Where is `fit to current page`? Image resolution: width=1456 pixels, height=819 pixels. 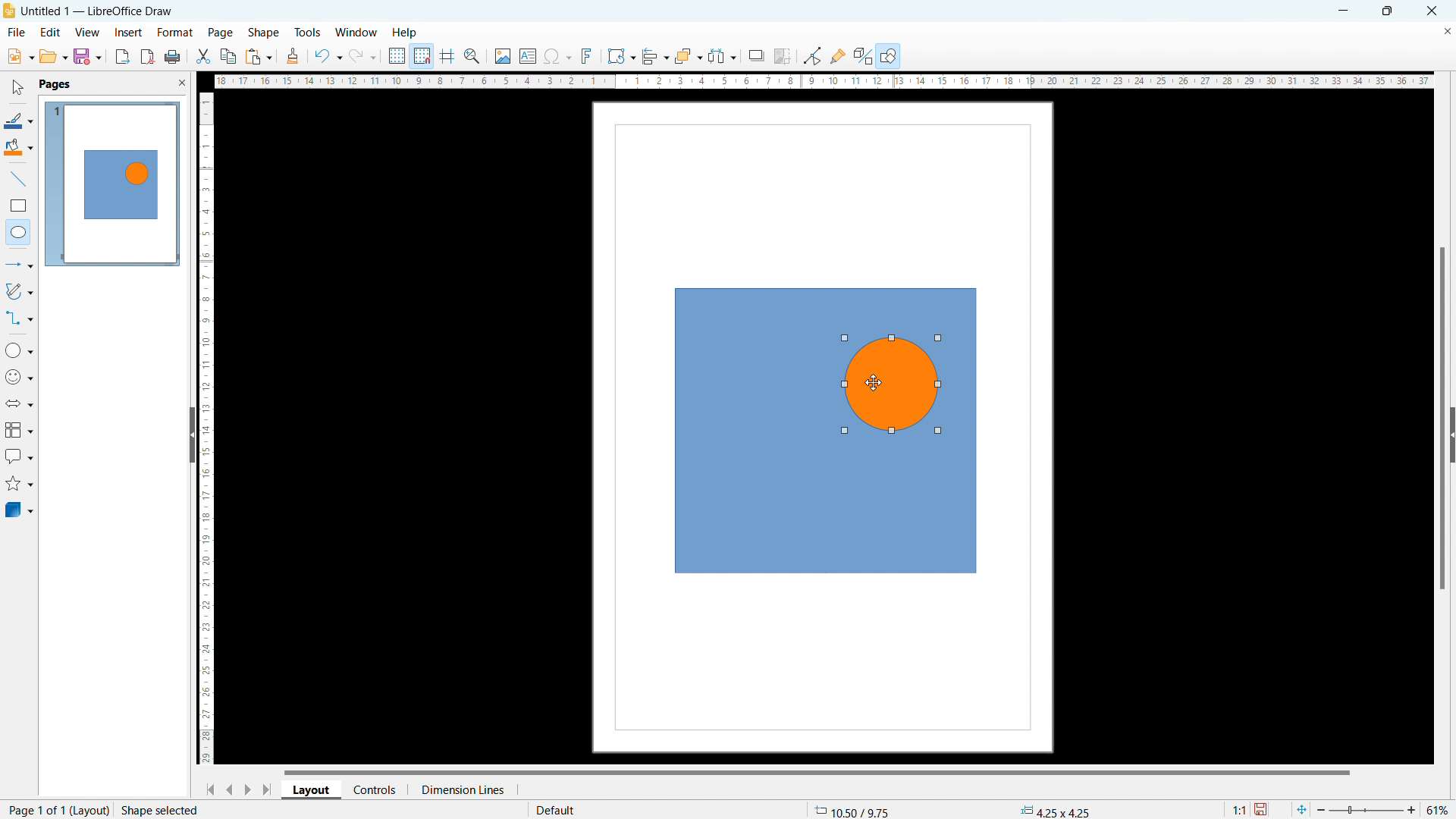
fit to current page is located at coordinates (1301, 809).